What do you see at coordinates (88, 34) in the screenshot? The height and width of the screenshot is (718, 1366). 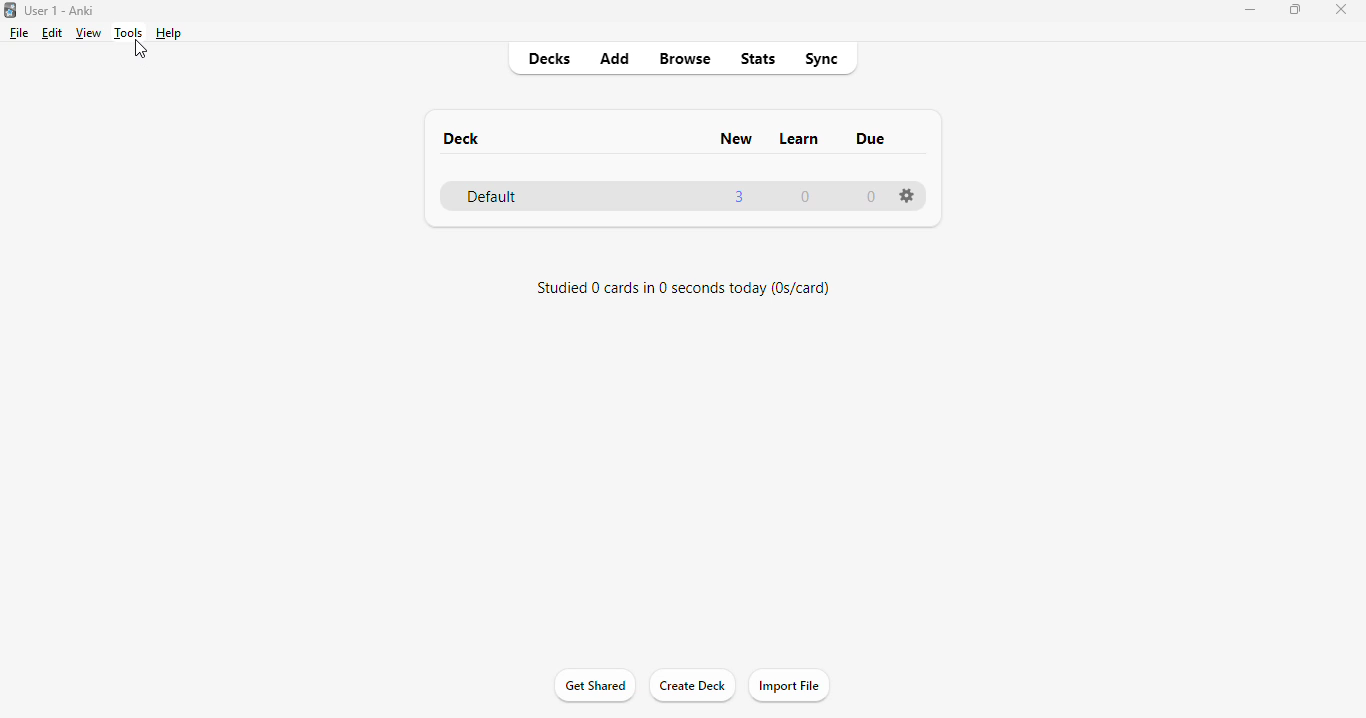 I see `view` at bounding box center [88, 34].